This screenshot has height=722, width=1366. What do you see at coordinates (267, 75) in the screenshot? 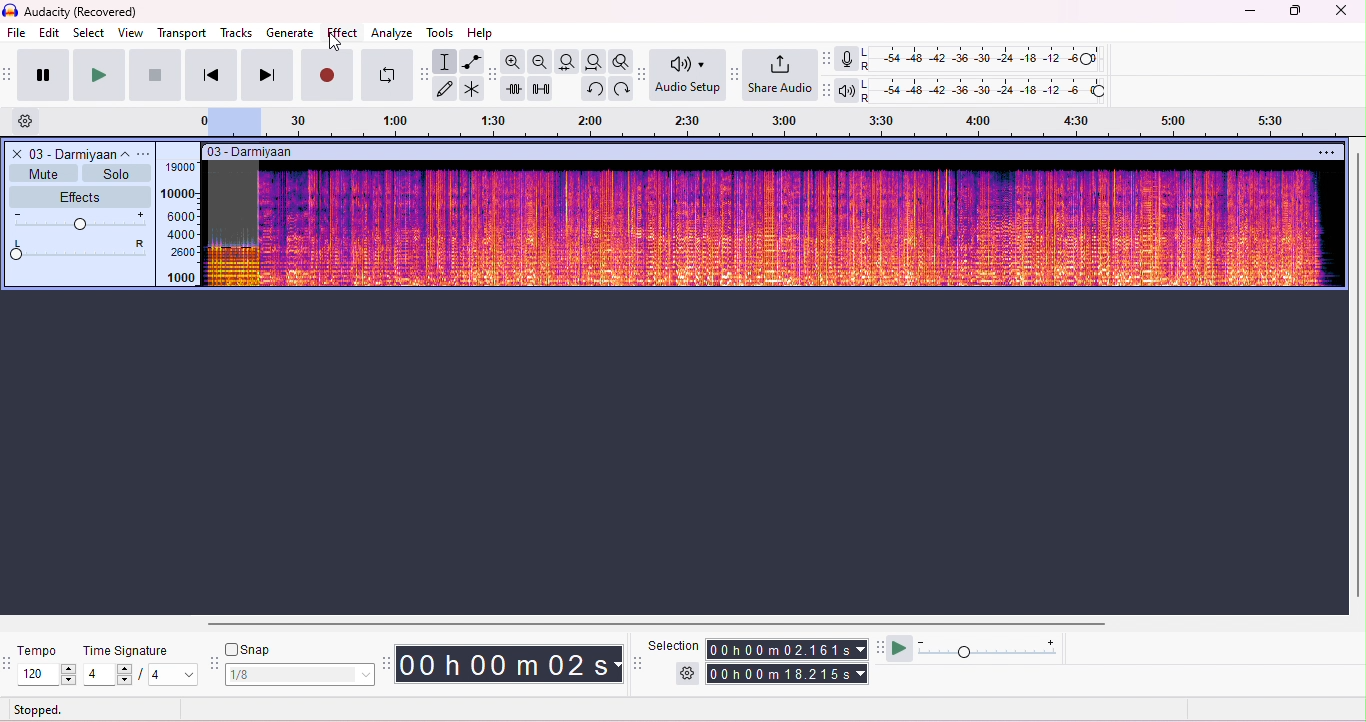
I see `next` at bounding box center [267, 75].